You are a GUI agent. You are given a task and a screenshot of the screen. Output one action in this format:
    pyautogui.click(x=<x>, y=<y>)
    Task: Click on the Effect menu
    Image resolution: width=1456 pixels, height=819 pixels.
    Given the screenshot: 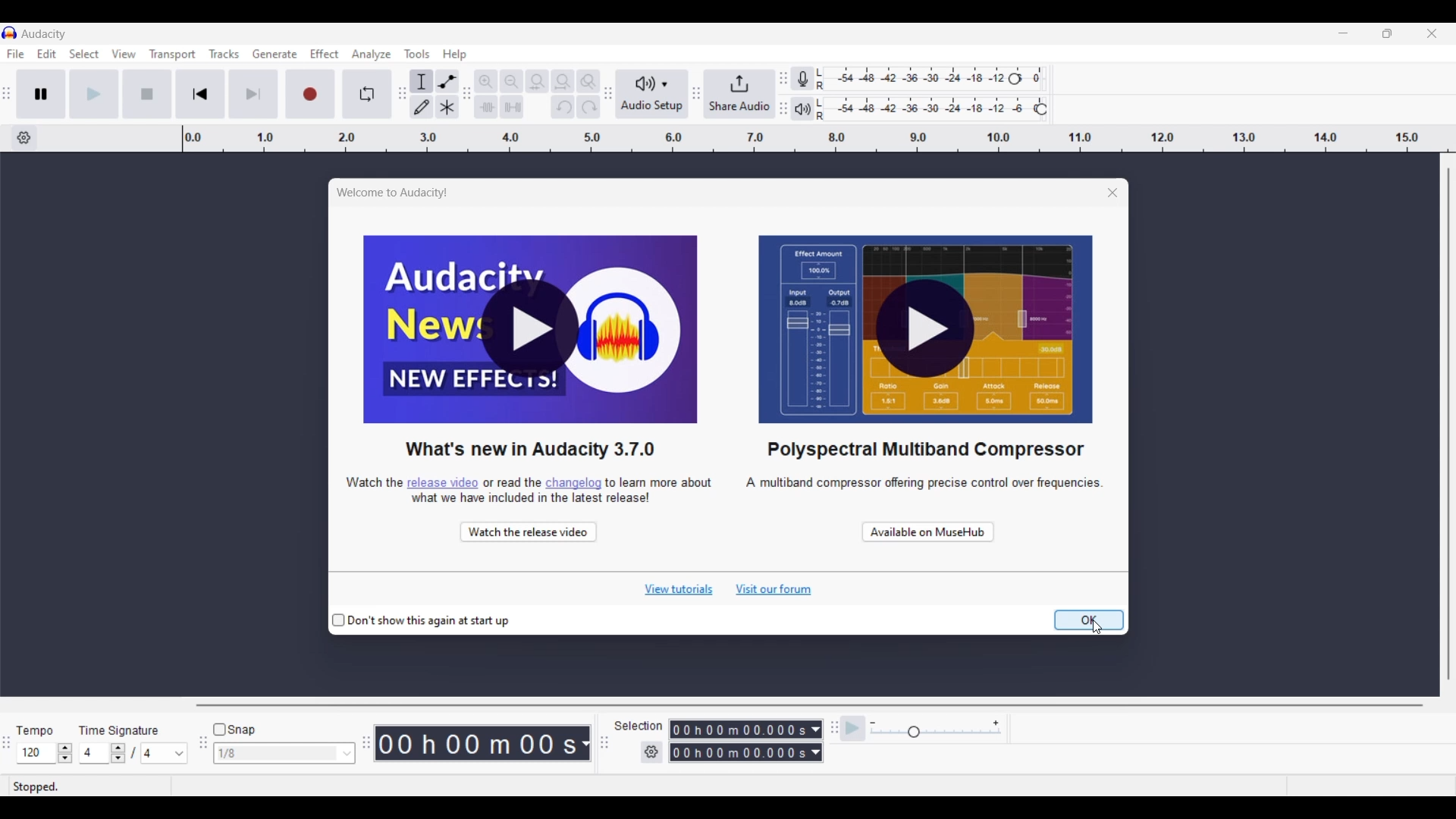 What is the action you would take?
    pyautogui.click(x=325, y=54)
    